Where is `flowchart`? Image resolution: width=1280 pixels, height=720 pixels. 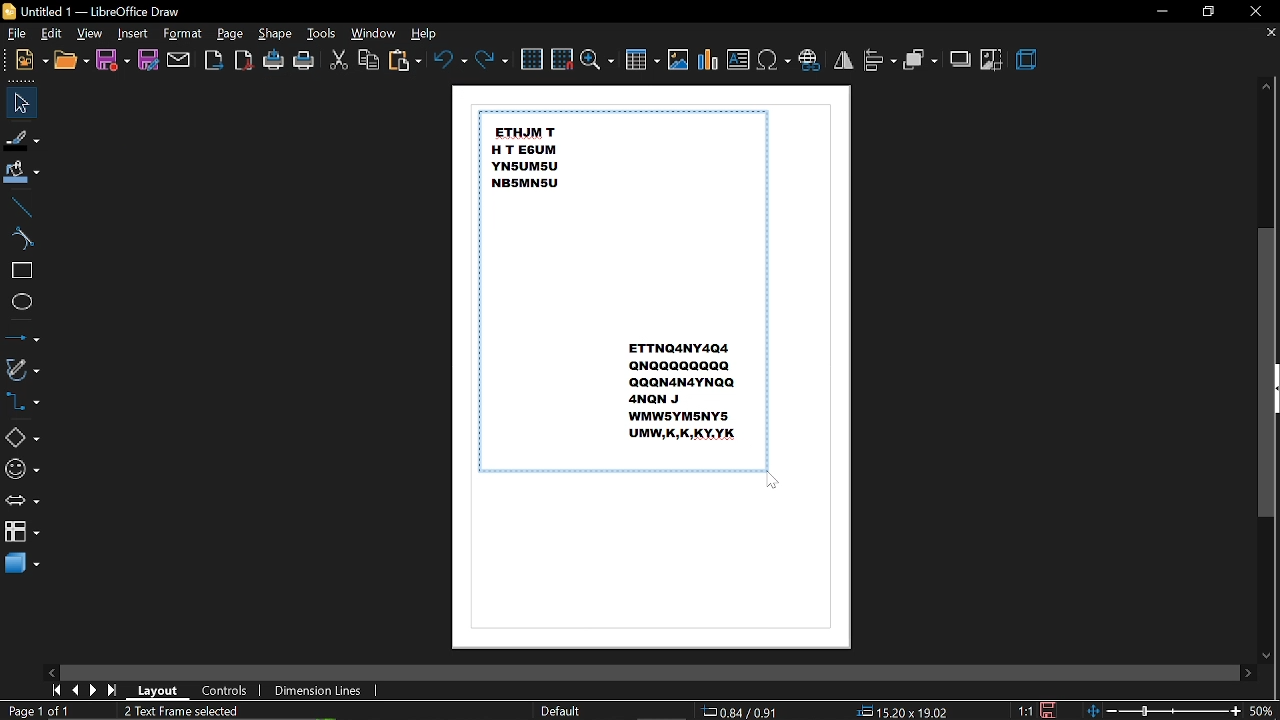
flowchart is located at coordinates (21, 533).